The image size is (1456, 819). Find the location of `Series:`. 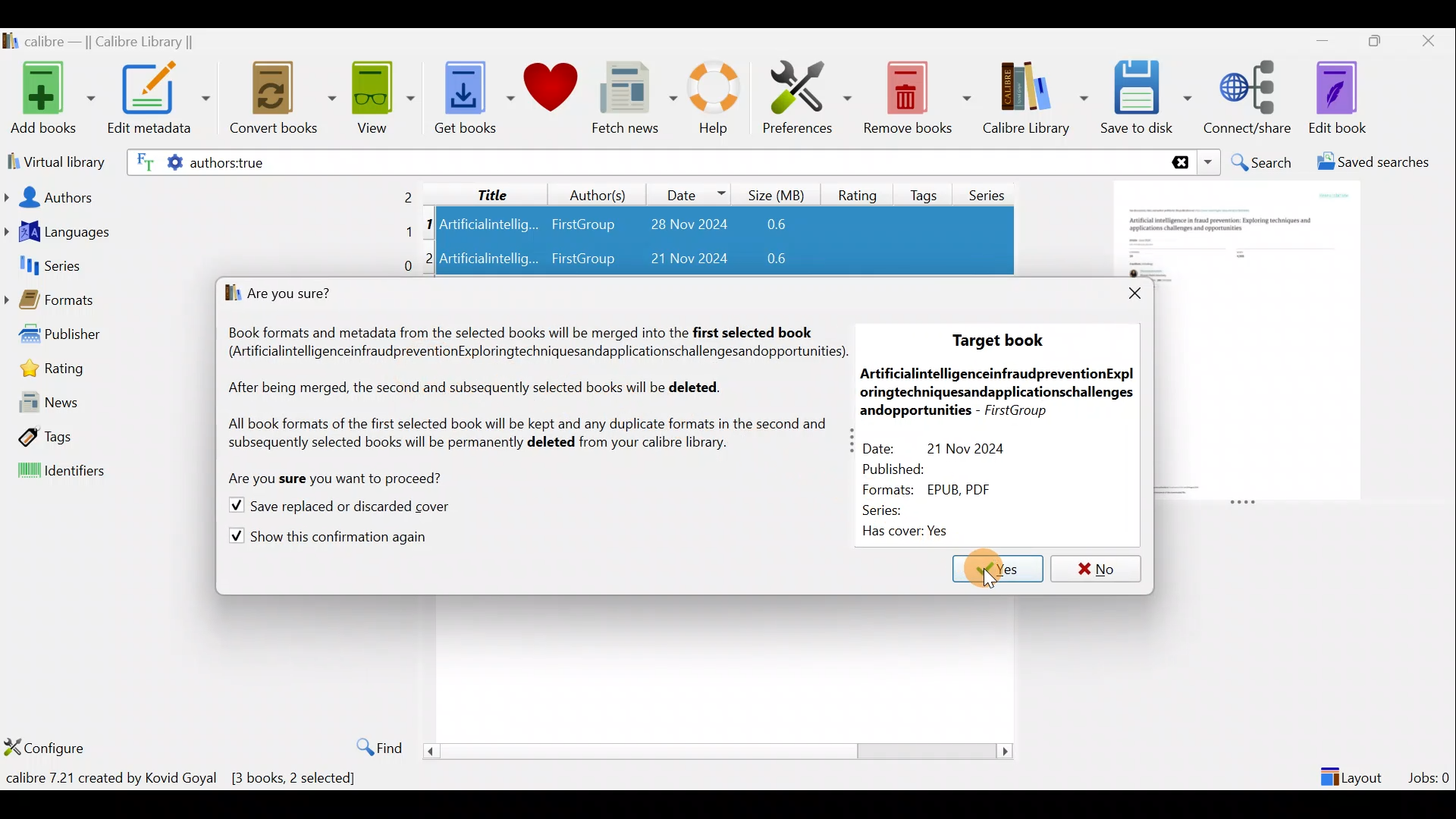

Series: is located at coordinates (896, 509).